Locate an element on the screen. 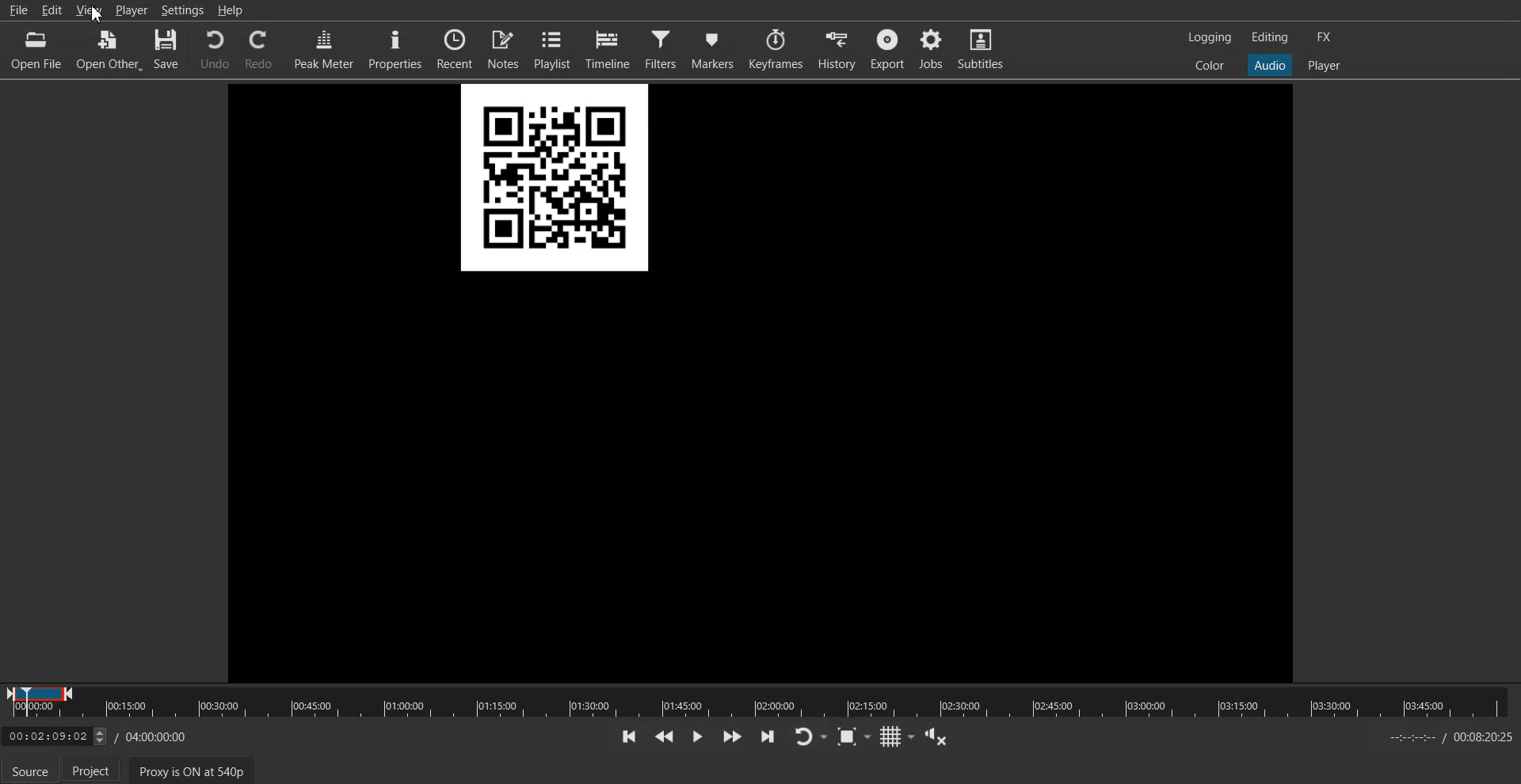 The height and width of the screenshot is (784, 1521). Open File is located at coordinates (33, 49).